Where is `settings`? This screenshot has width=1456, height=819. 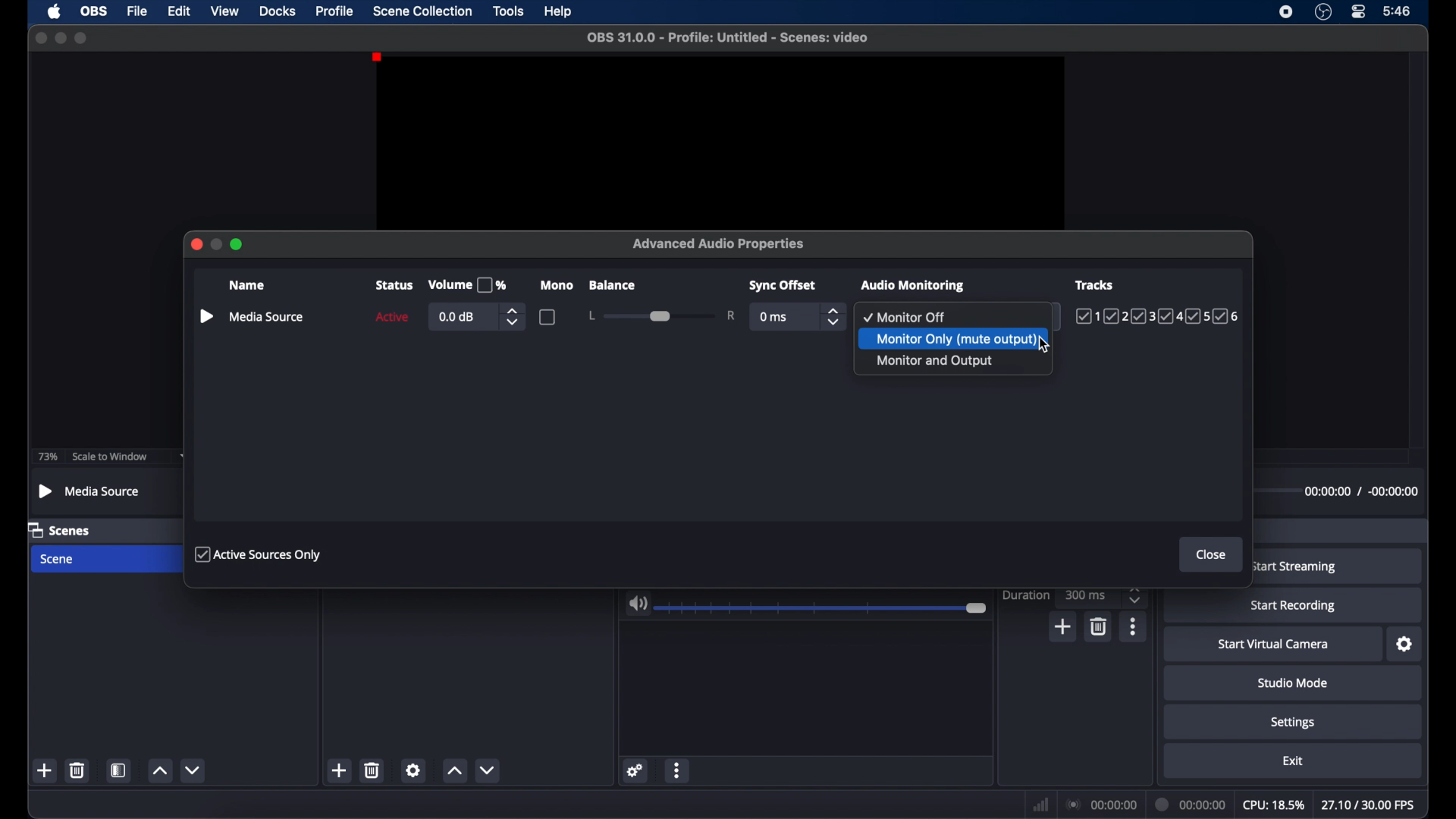 settings is located at coordinates (414, 770).